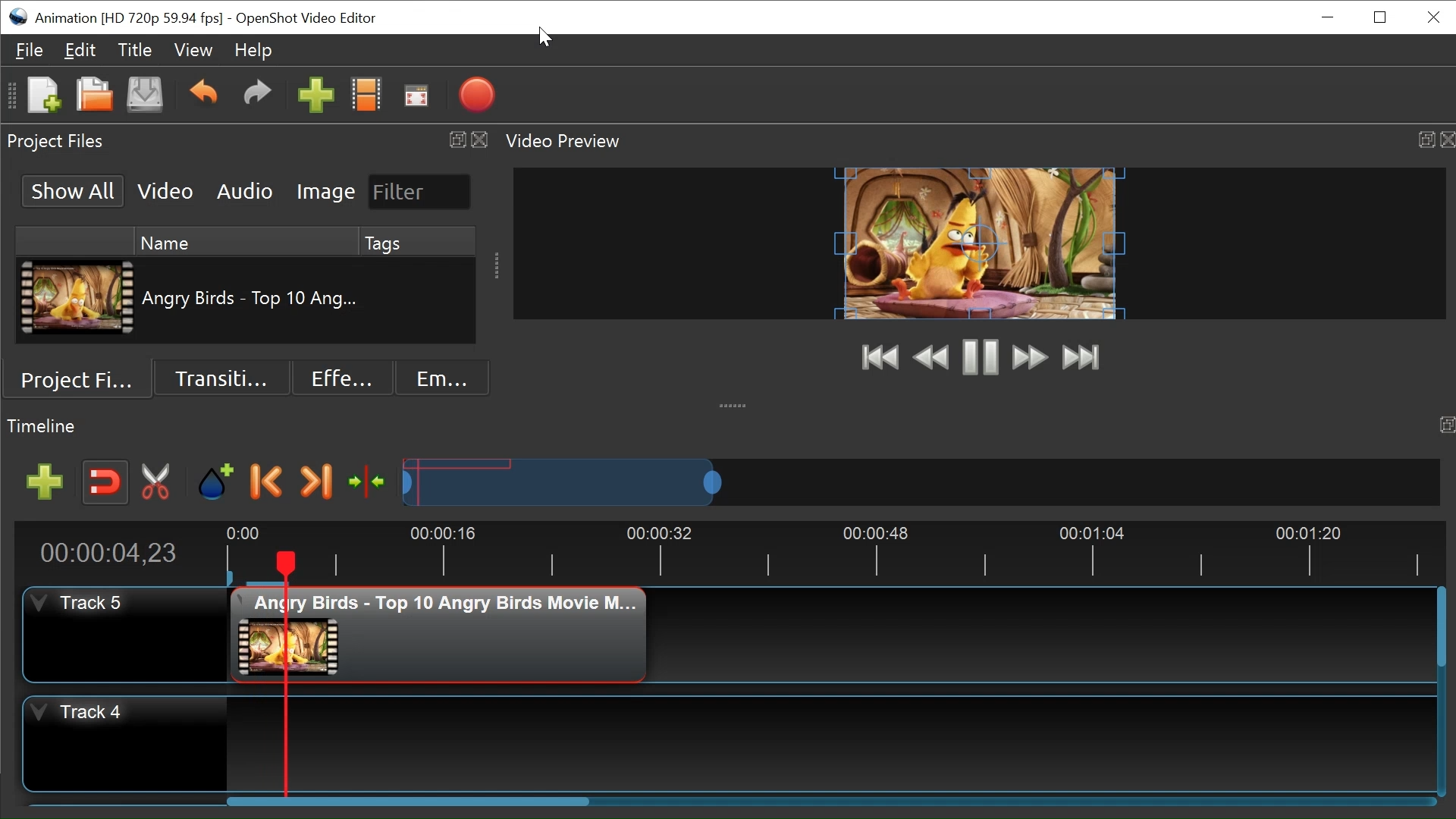 This screenshot has height=819, width=1456. What do you see at coordinates (193, 50) in the screenshot?
I see `View` at bounding box center [193, 50].